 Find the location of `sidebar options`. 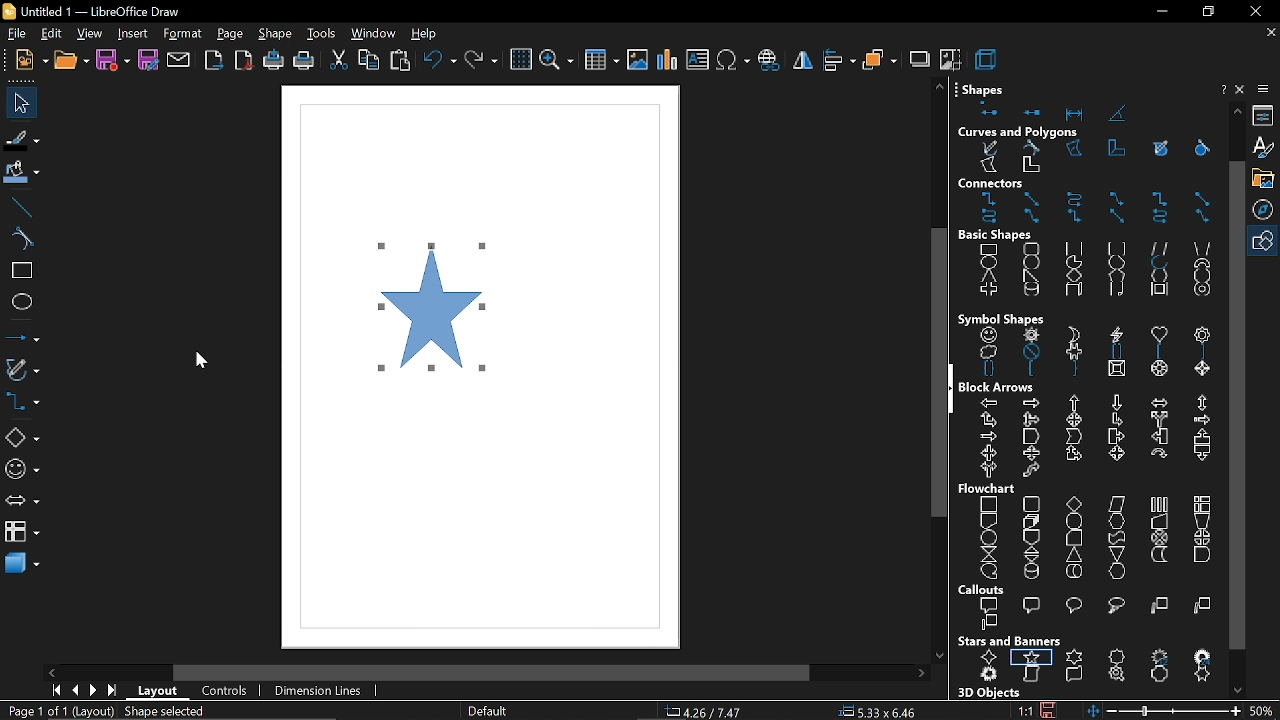

sidebar options is located at coordinates (1266, 89).